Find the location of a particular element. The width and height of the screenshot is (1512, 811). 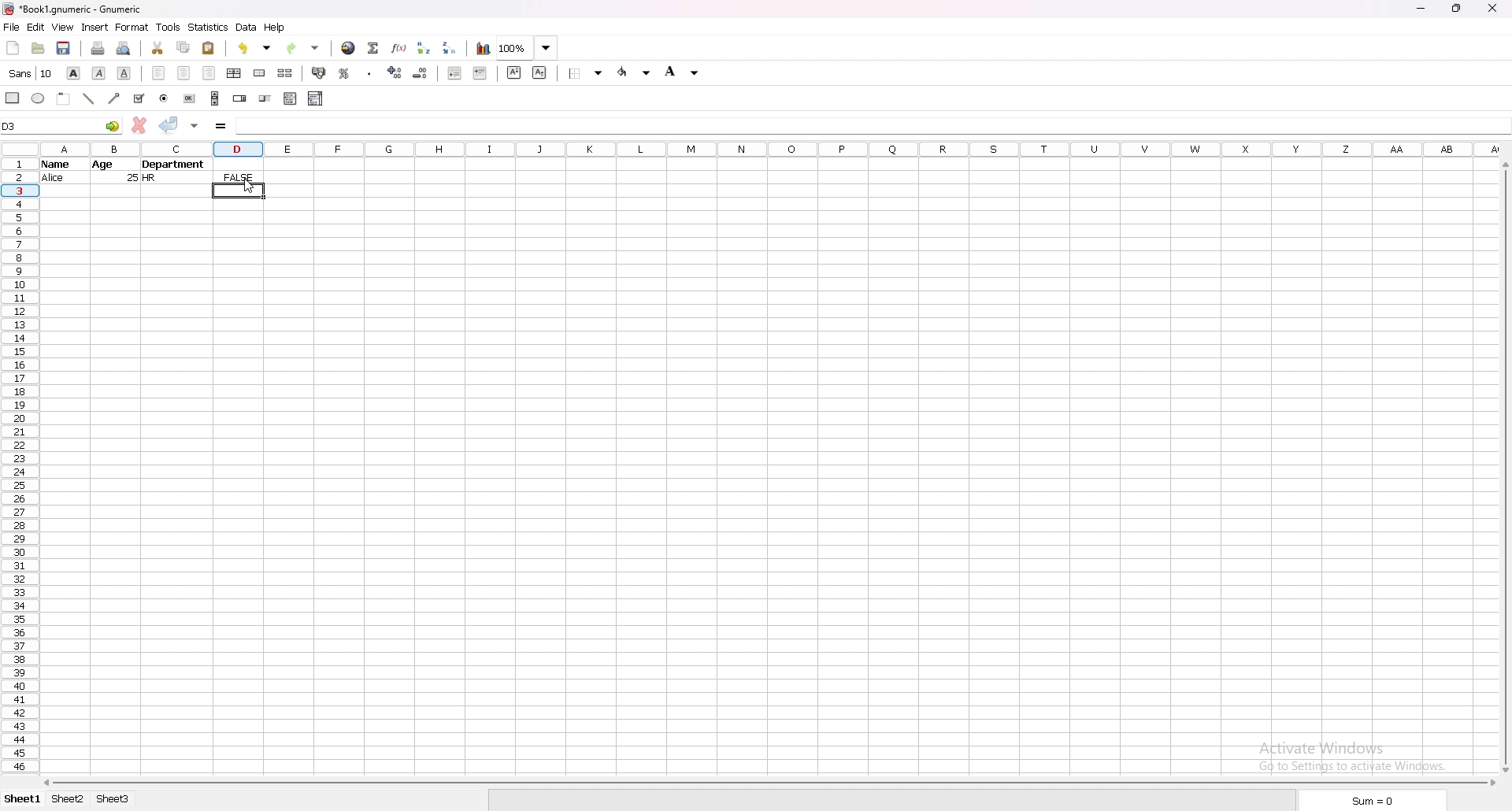

hyperlink is located at coordinates (349, 47).